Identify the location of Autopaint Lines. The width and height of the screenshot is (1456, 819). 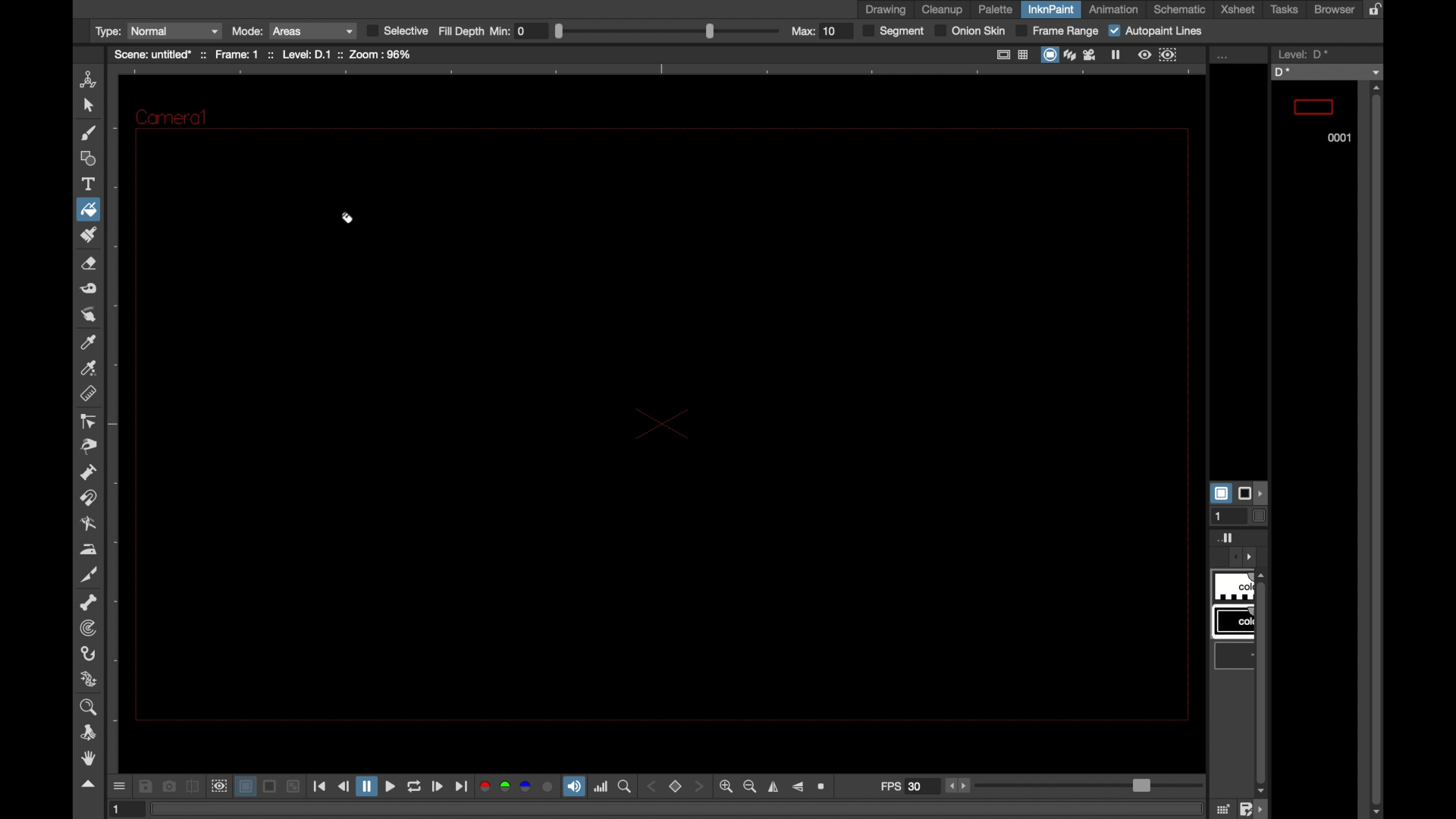
(1159, 32).